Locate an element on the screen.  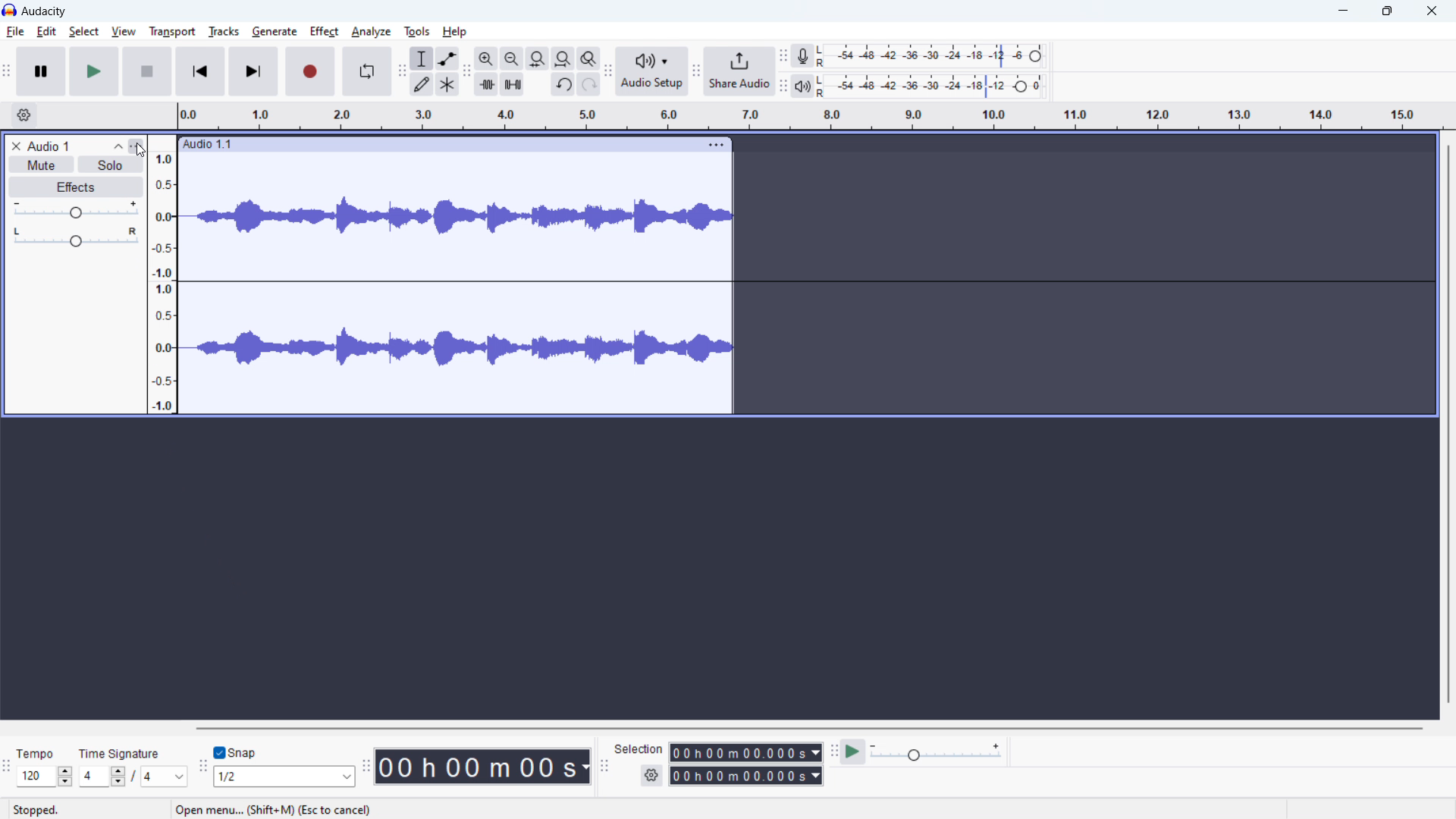
minimize is located at coordinates (1341, 11).